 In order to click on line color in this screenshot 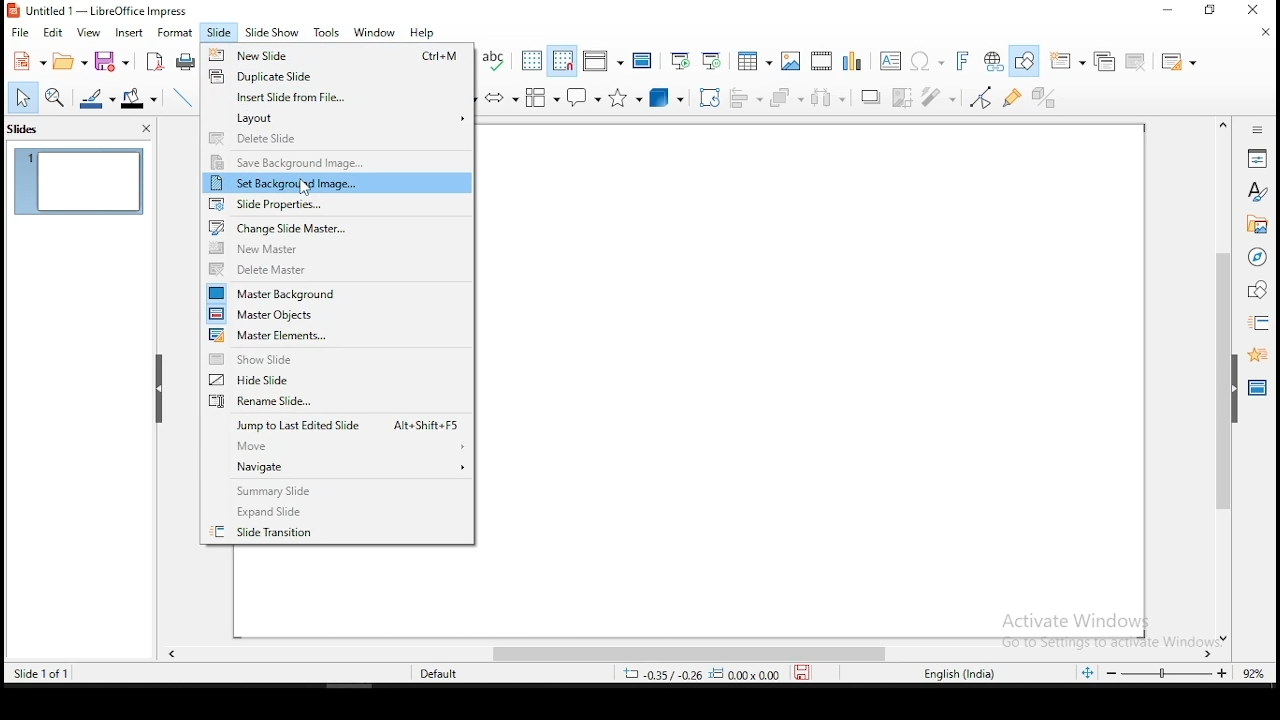, I will do `click(98, 98)`.